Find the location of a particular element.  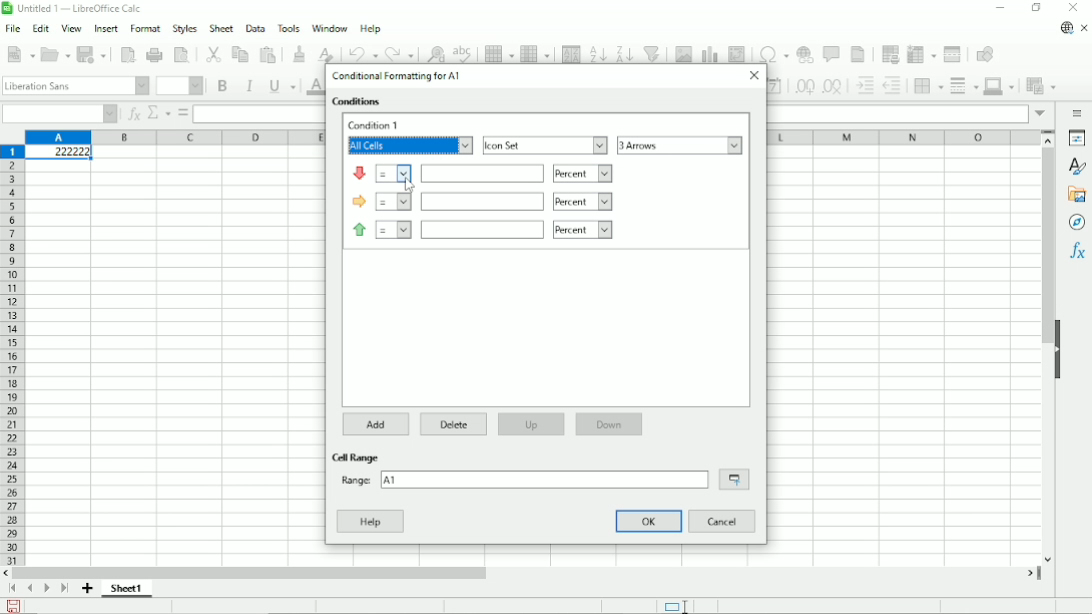

Edit is located at coordinates (40, 30).